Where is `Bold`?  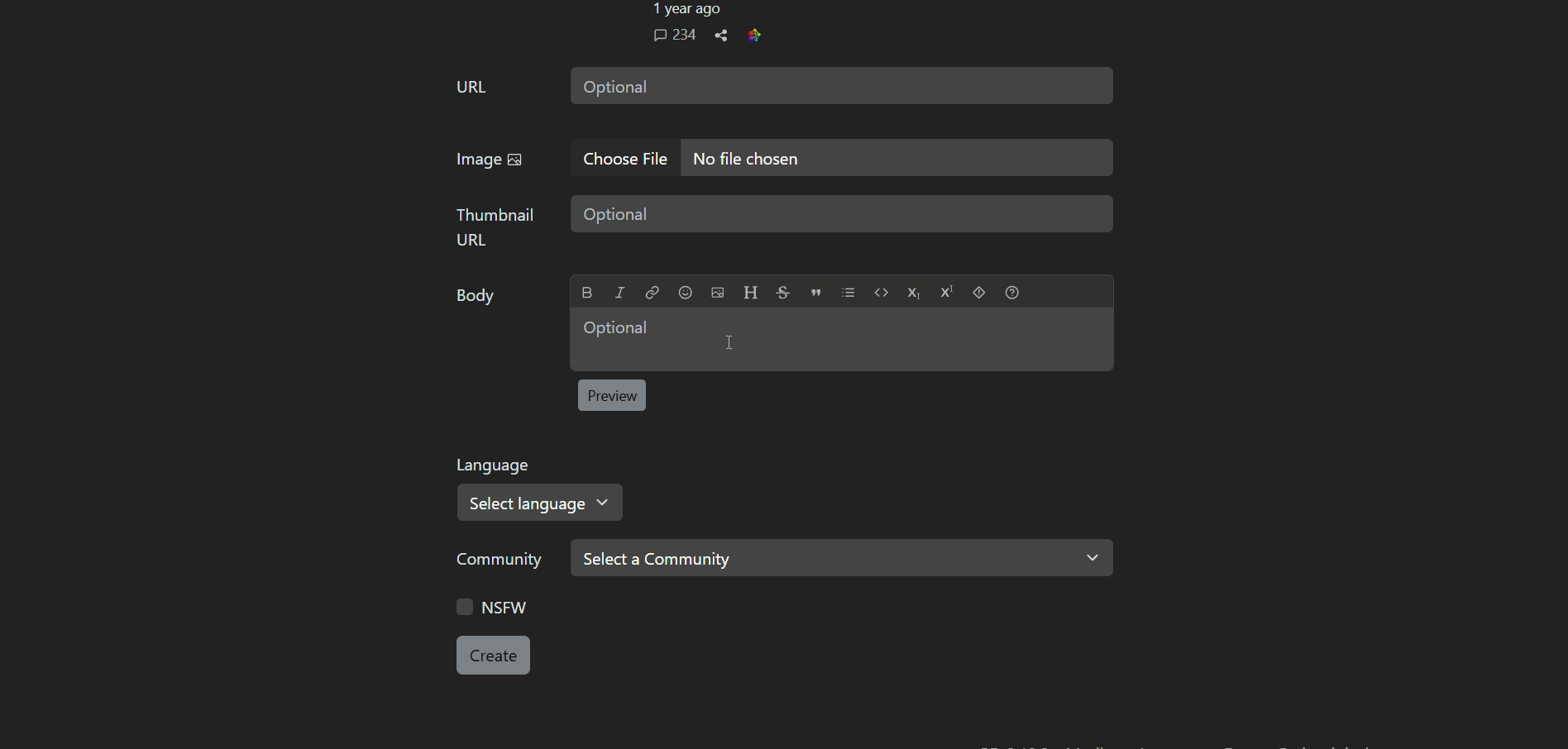 Bold is located at coordinates (588, 293).